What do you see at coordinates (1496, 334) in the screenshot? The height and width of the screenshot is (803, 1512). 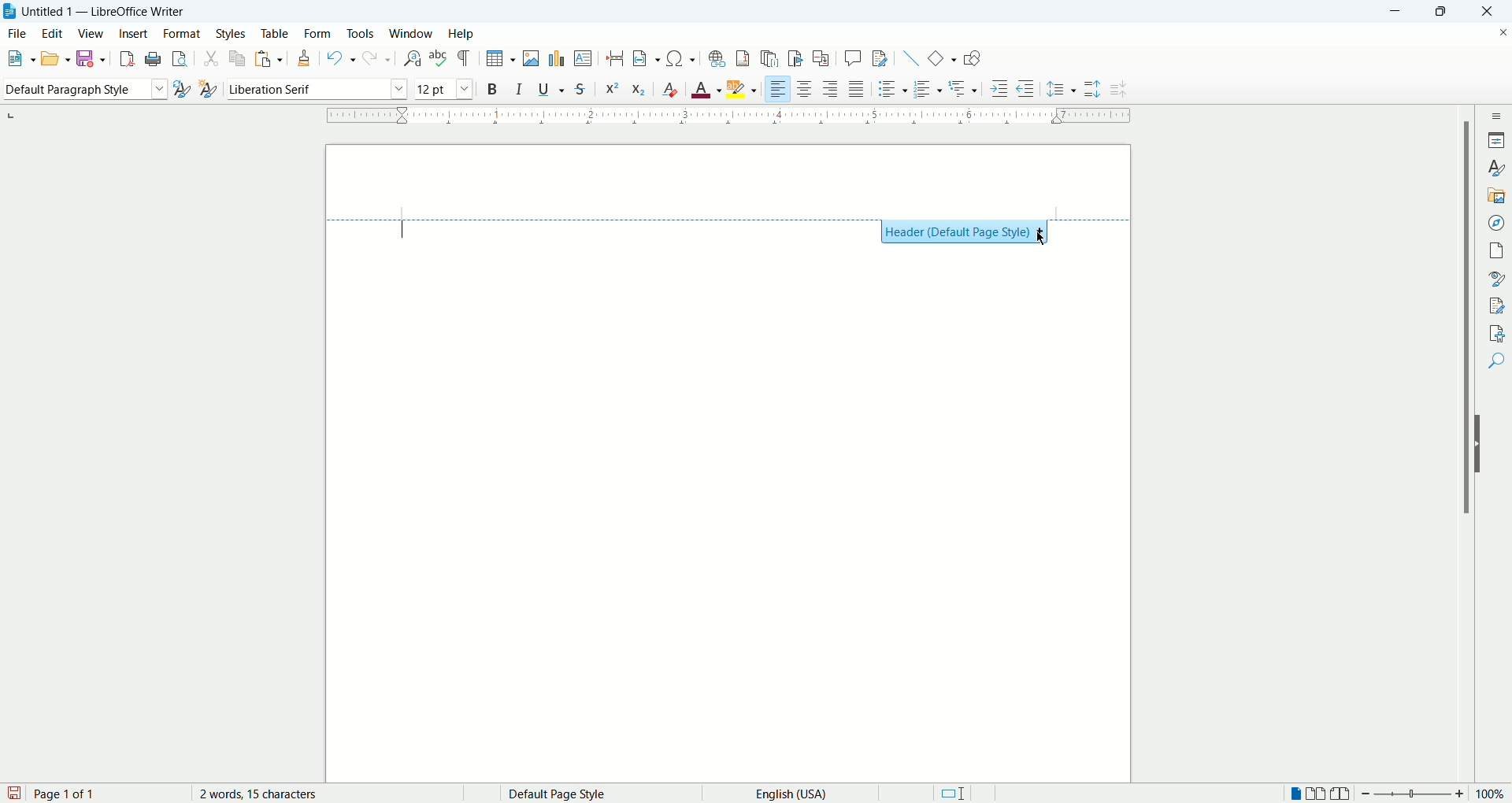 I see `accessibility check` at bounding box center [1496, 334].